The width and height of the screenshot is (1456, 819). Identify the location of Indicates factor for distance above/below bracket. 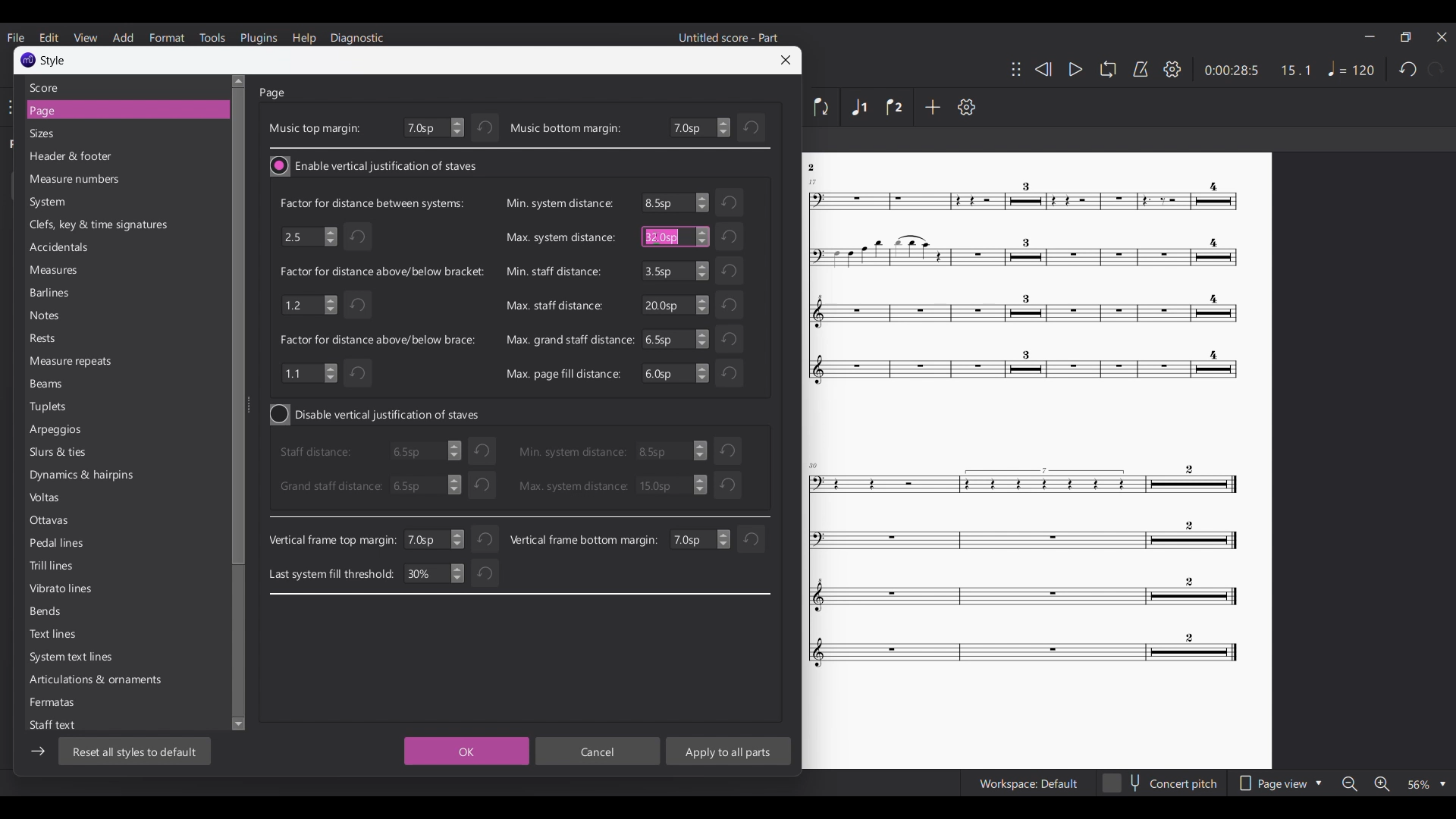
(382, 271).